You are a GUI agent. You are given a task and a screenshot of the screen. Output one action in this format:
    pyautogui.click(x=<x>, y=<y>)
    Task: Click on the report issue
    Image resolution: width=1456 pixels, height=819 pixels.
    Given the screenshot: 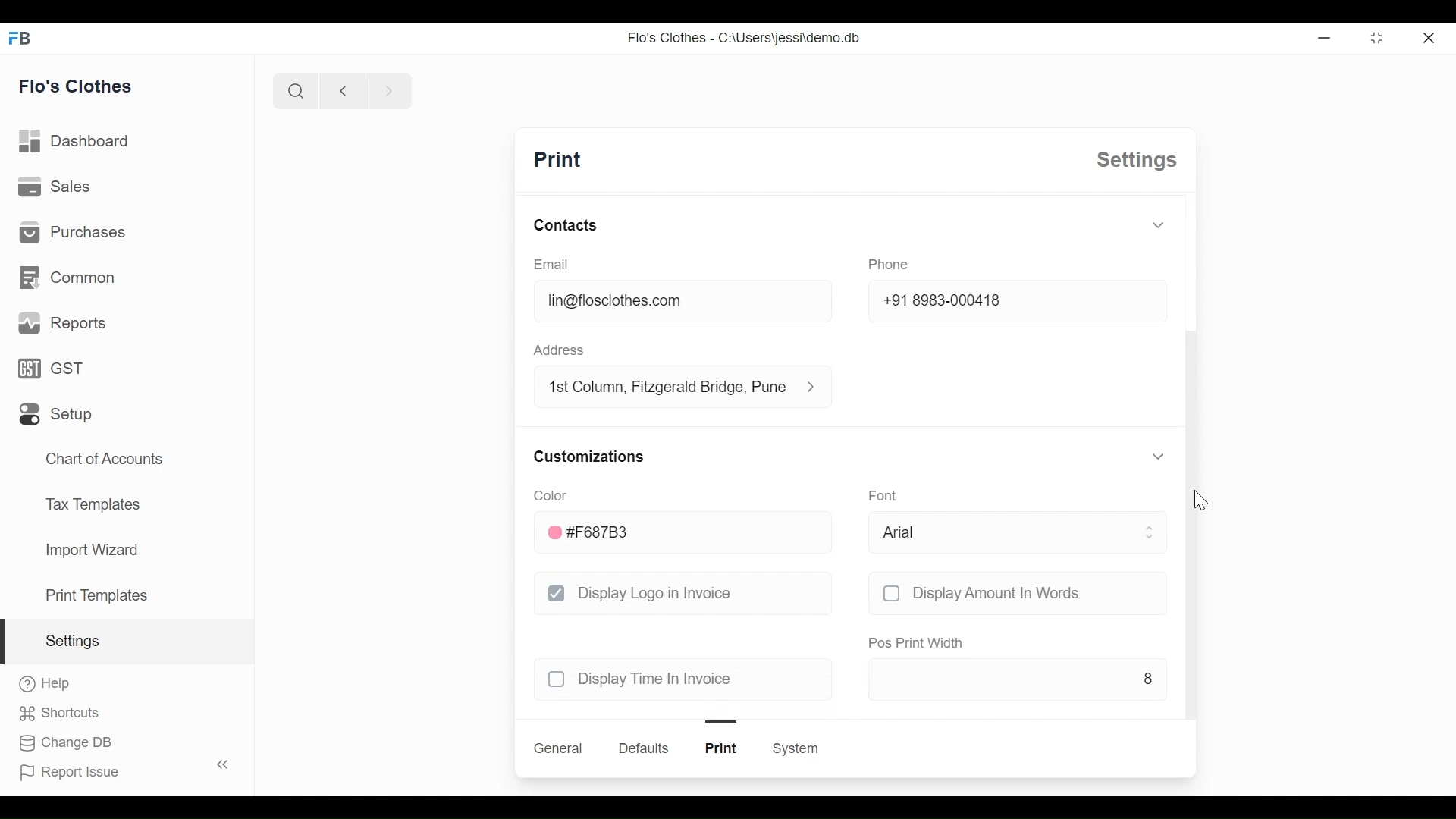 What is the action you would take?
    pyautogui.click(x=70, y=773)
    